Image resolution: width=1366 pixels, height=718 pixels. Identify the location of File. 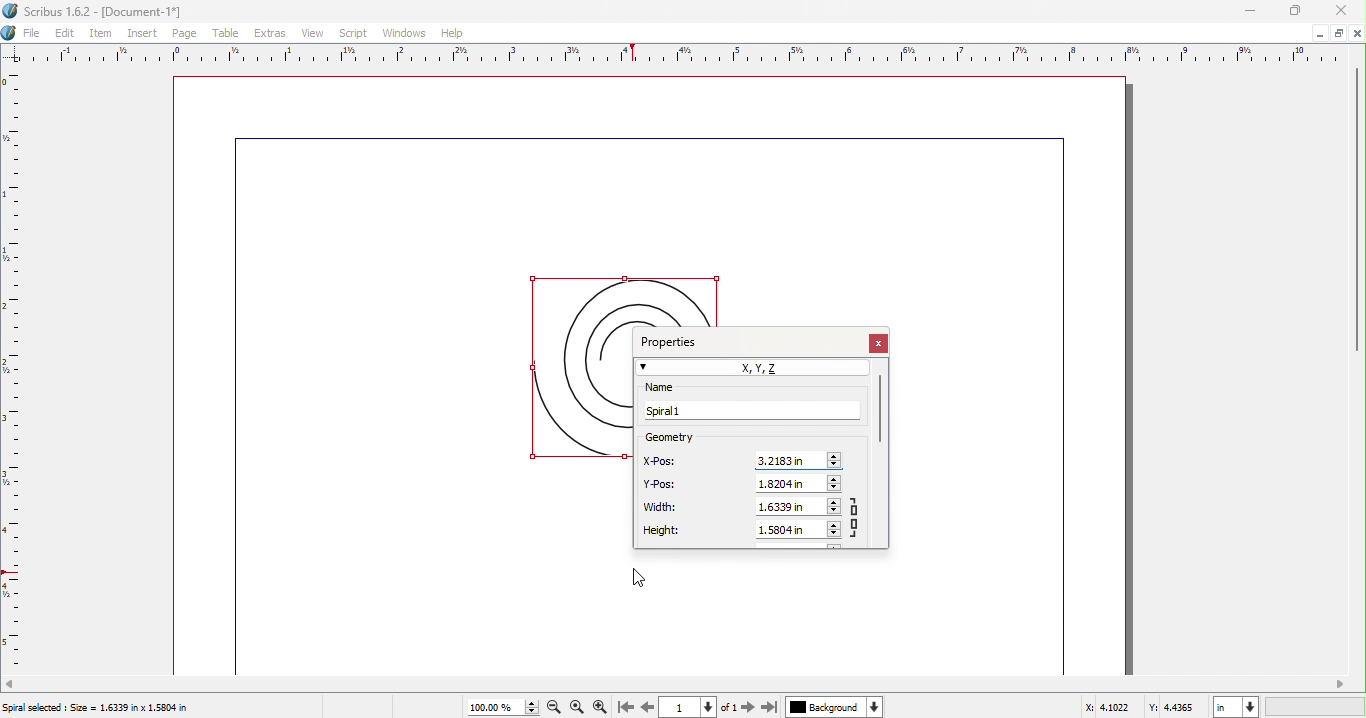
(32, 33).